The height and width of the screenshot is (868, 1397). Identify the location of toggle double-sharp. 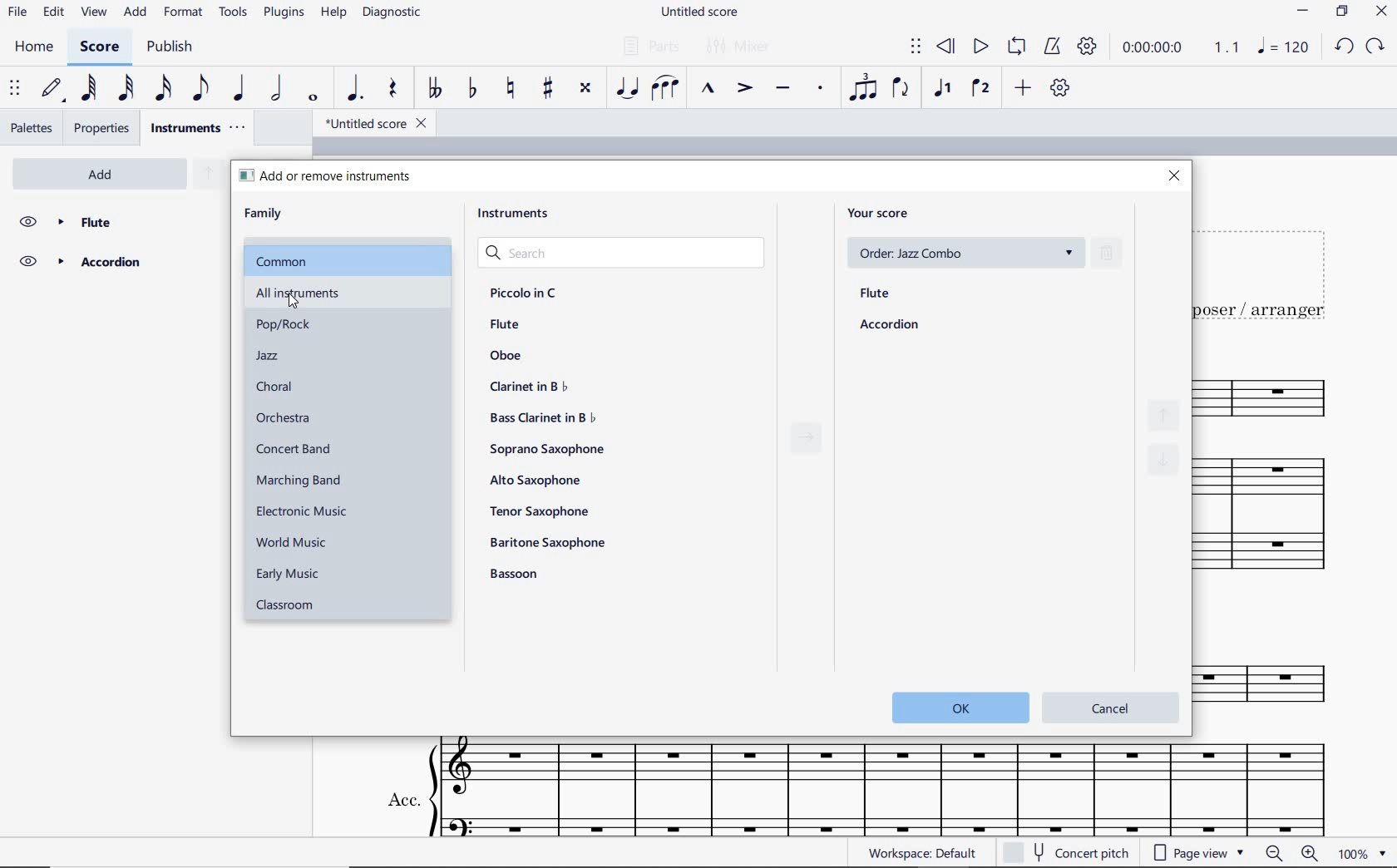
(585, 91).